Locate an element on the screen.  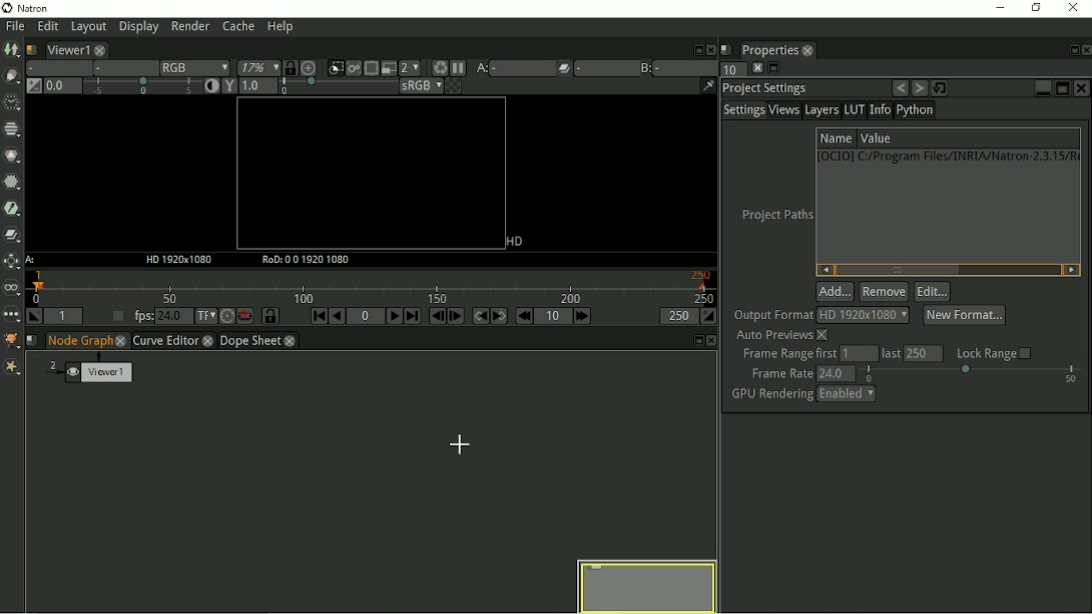
Set playback in point is located at coordinates (35, 317).